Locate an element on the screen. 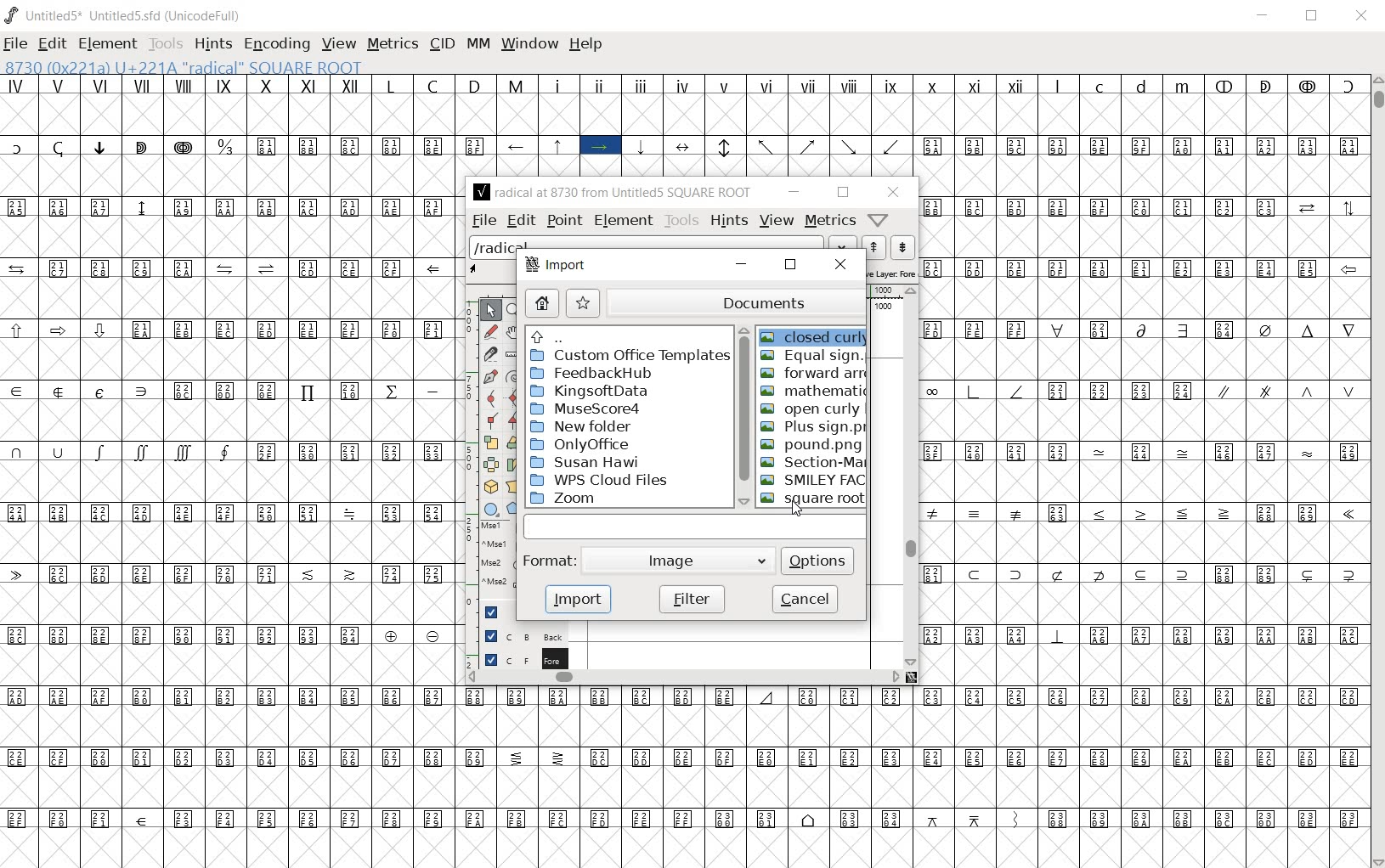  Rotate the selection is located at coordinates (512, 464).